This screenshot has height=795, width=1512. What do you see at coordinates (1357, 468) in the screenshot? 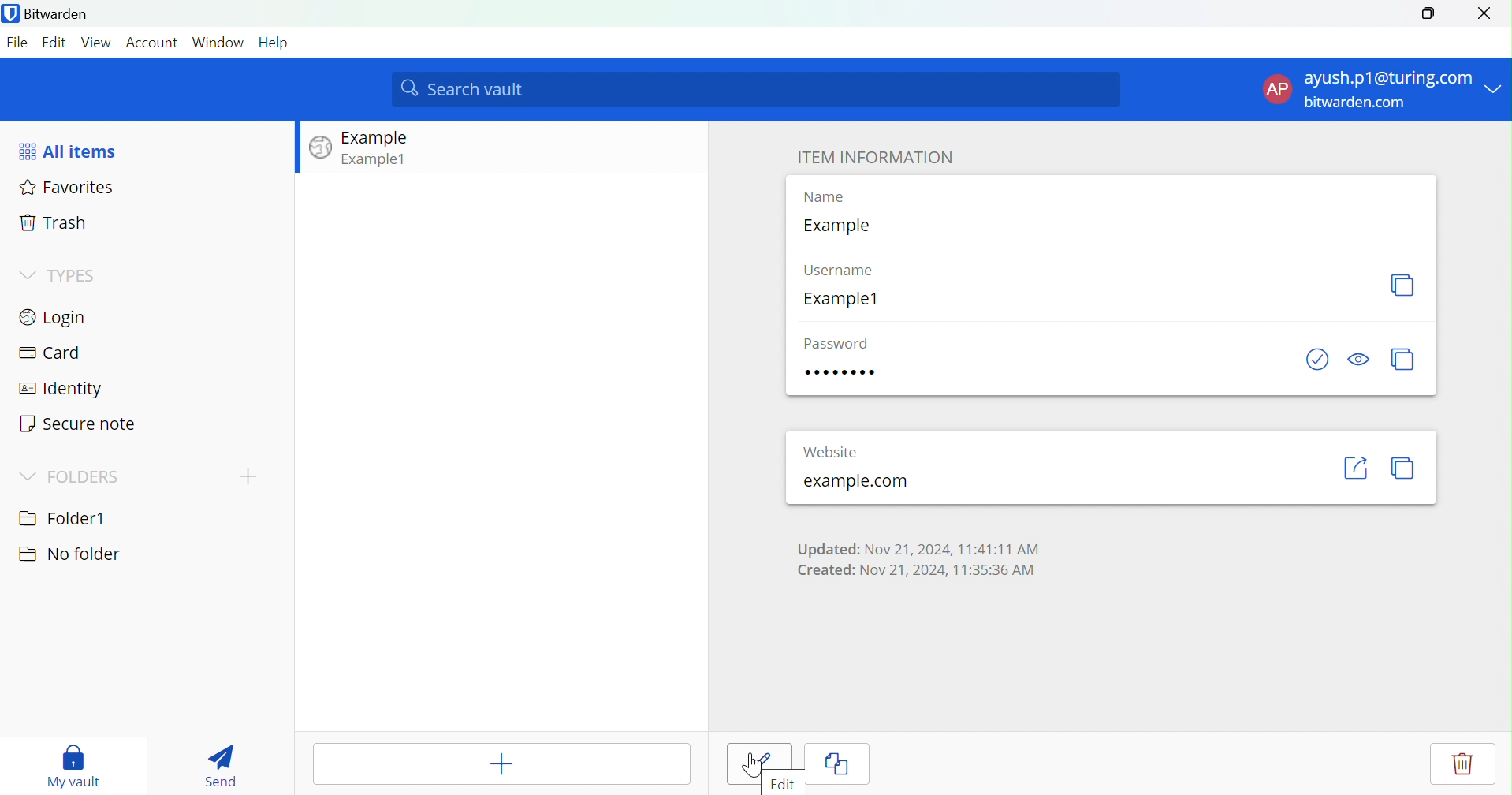
I see `Launch` at bounding box center [1357, 468].